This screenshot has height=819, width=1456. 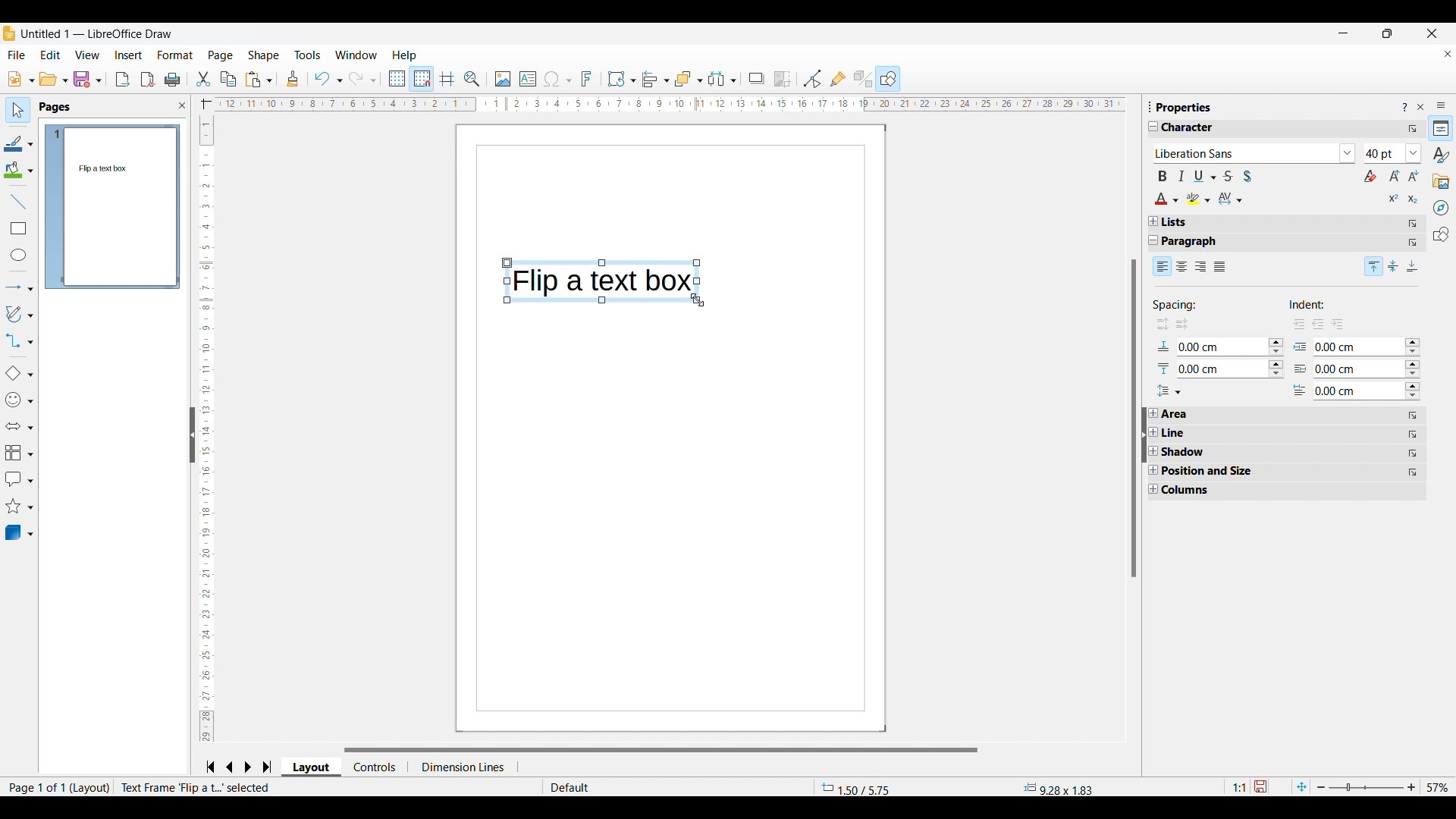 What do you see at coordinates (1442, 105) in the screenshot?
I see `Sidebar settings` at bounding box center [1442, 105].